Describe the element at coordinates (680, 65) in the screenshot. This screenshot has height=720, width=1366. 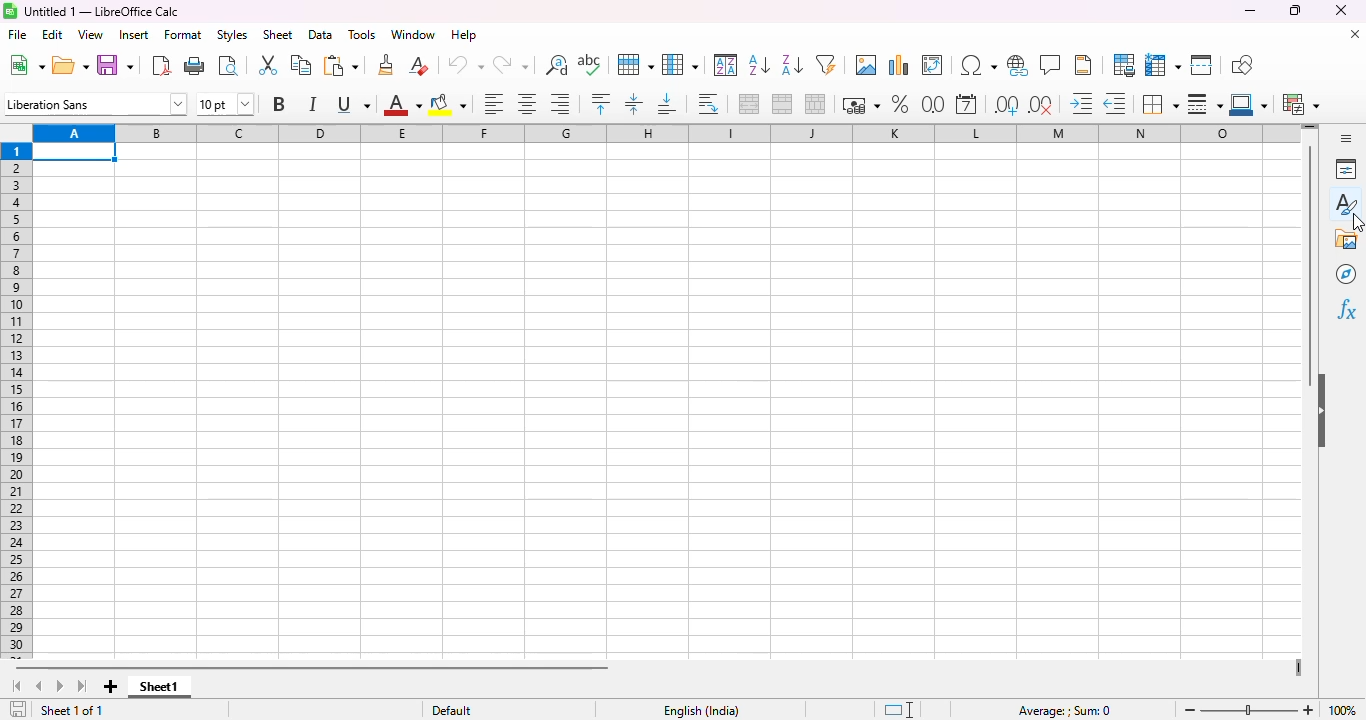
I see `column` at that location.